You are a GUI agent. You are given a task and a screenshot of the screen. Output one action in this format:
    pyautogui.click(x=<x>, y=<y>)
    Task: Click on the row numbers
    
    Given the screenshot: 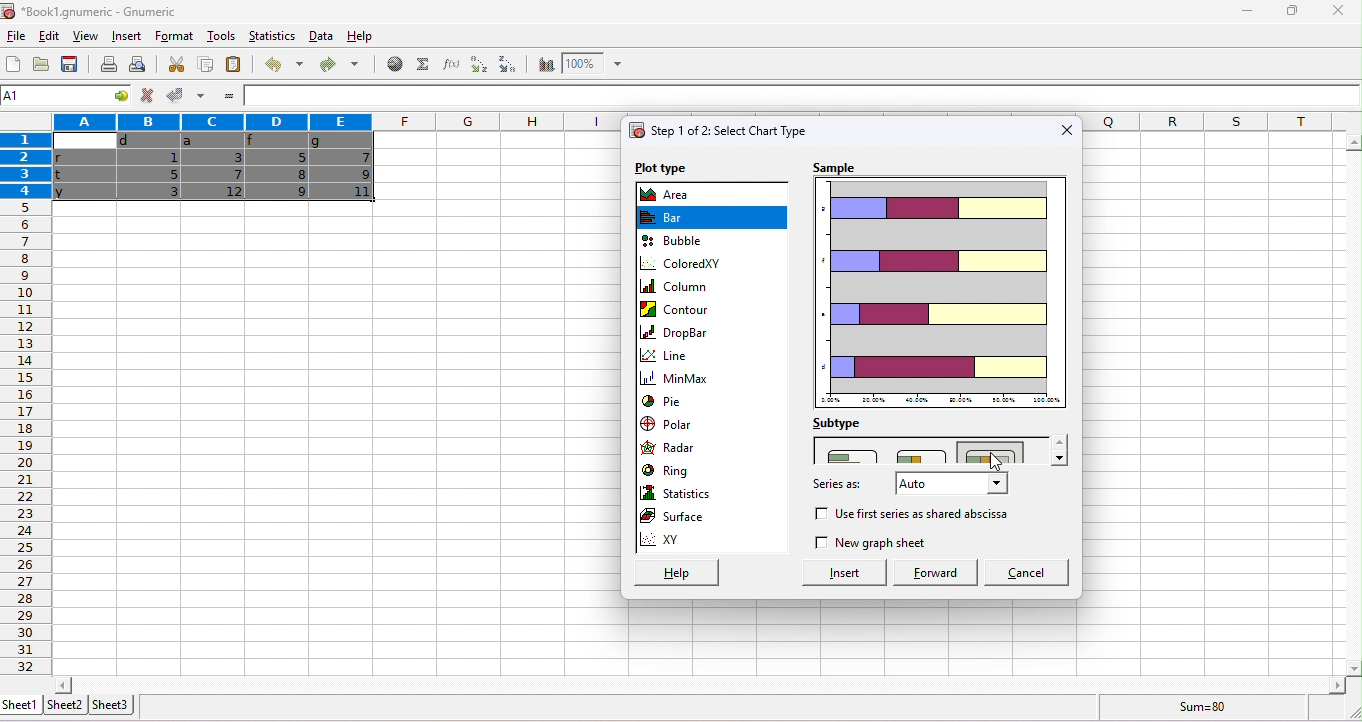 What is the action you would take?
    pyautogui.click(x=29, y=438)
    